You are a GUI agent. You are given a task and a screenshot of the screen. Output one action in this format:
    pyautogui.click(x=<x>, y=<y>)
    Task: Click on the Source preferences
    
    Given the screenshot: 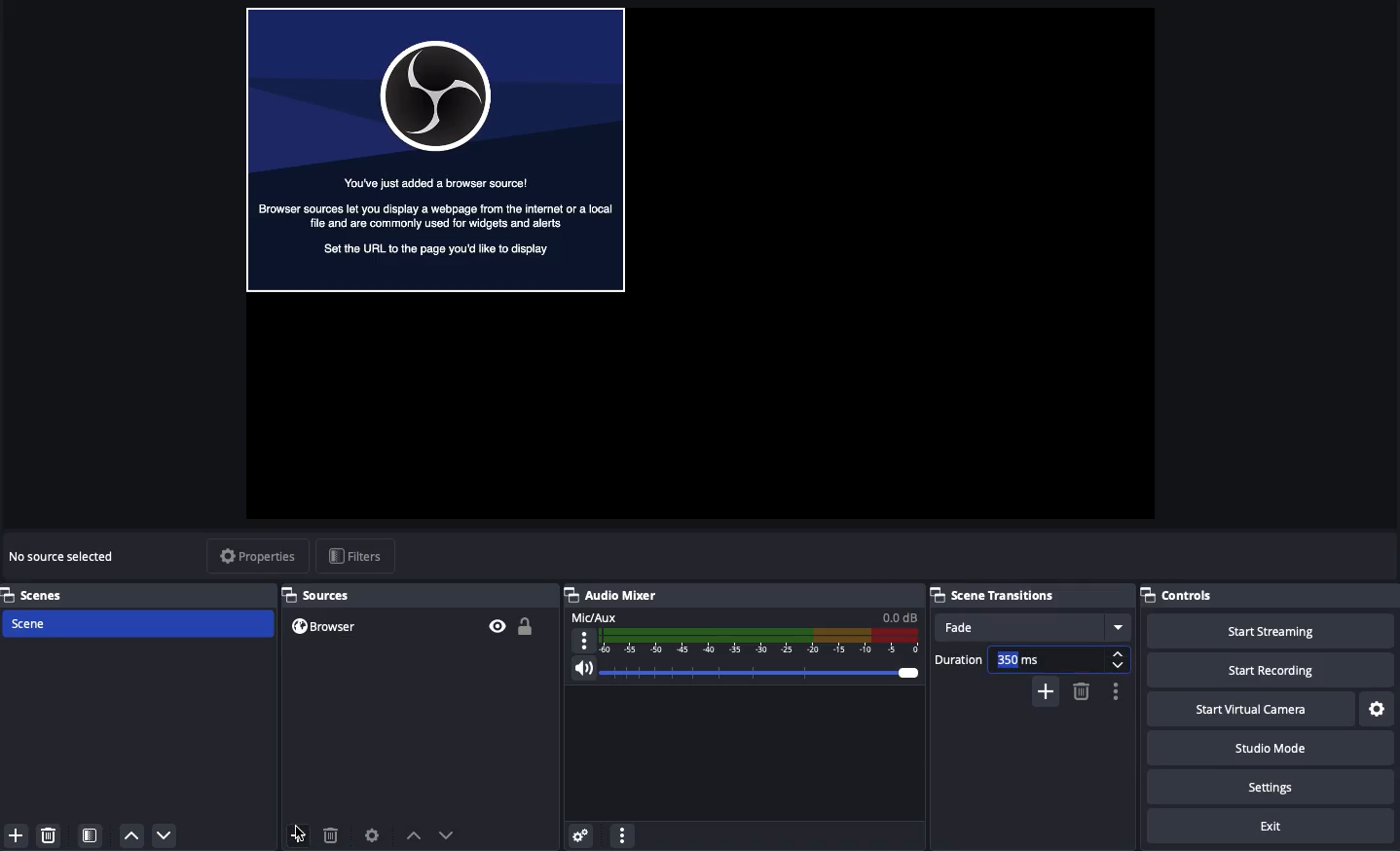 What is the action you would take?
    pyautogui.click(x=370, y=836)
    